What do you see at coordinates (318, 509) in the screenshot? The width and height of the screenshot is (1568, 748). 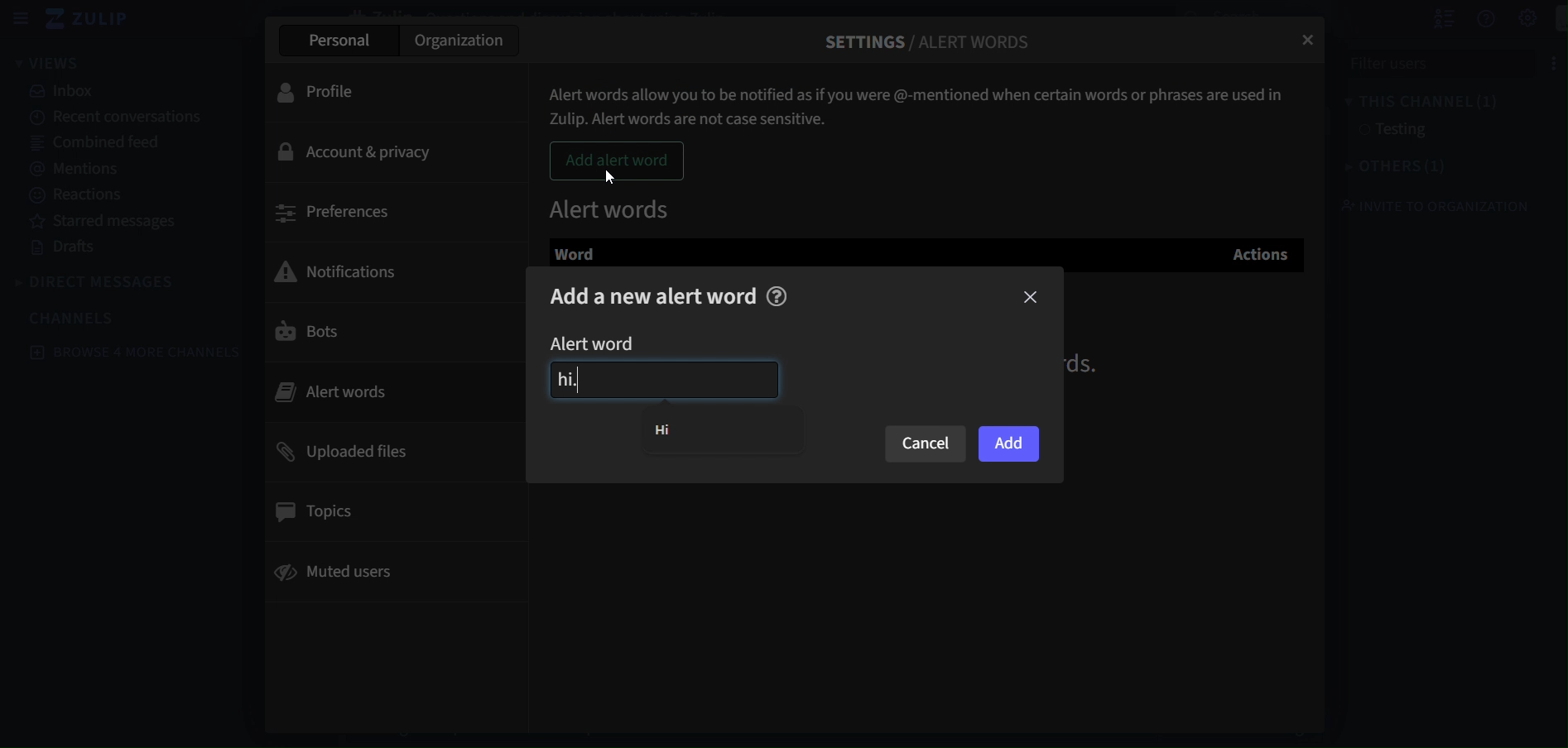 I see `topics` at bounding box center [318, 509].